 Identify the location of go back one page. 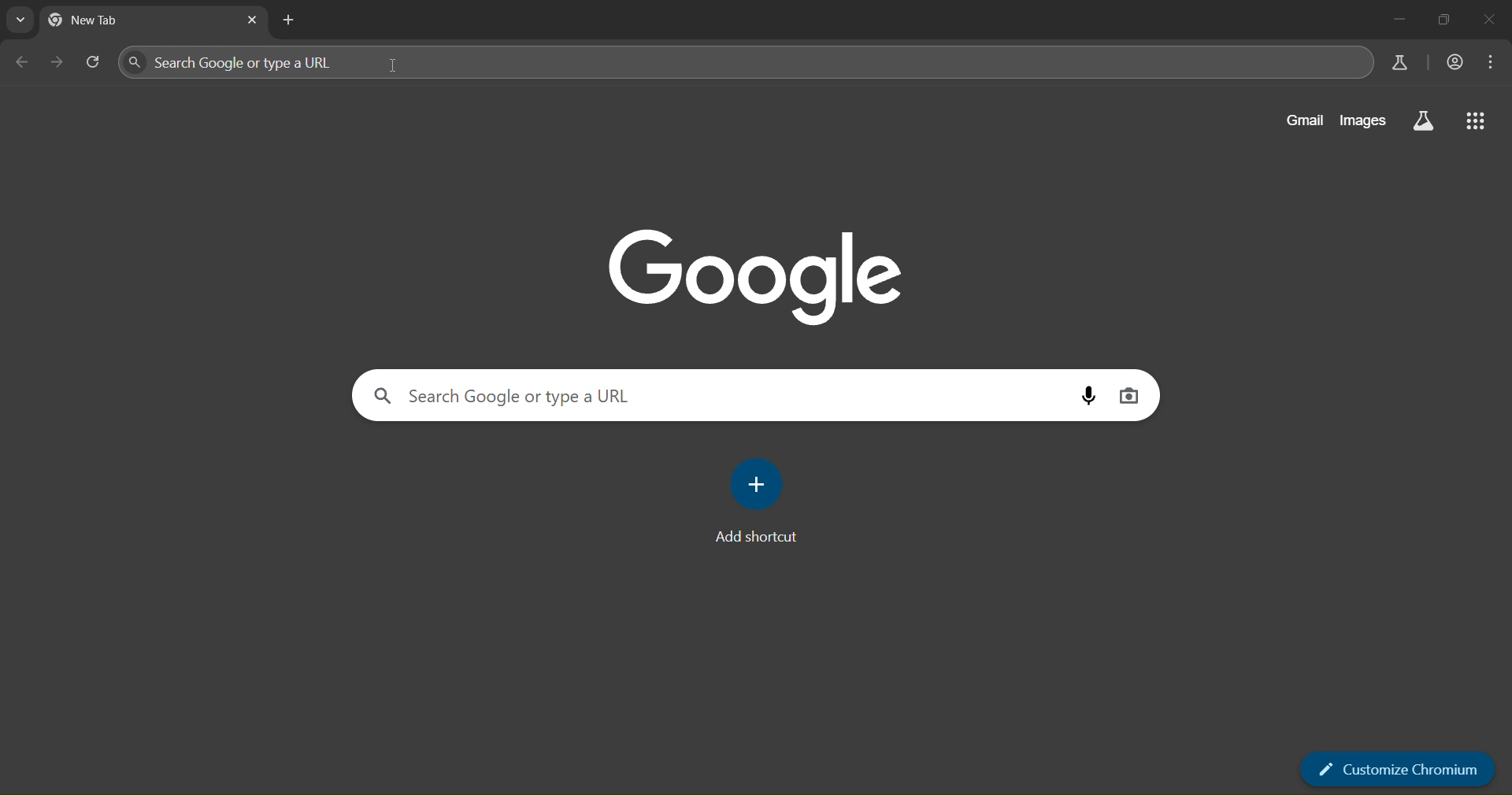
(21, 64).